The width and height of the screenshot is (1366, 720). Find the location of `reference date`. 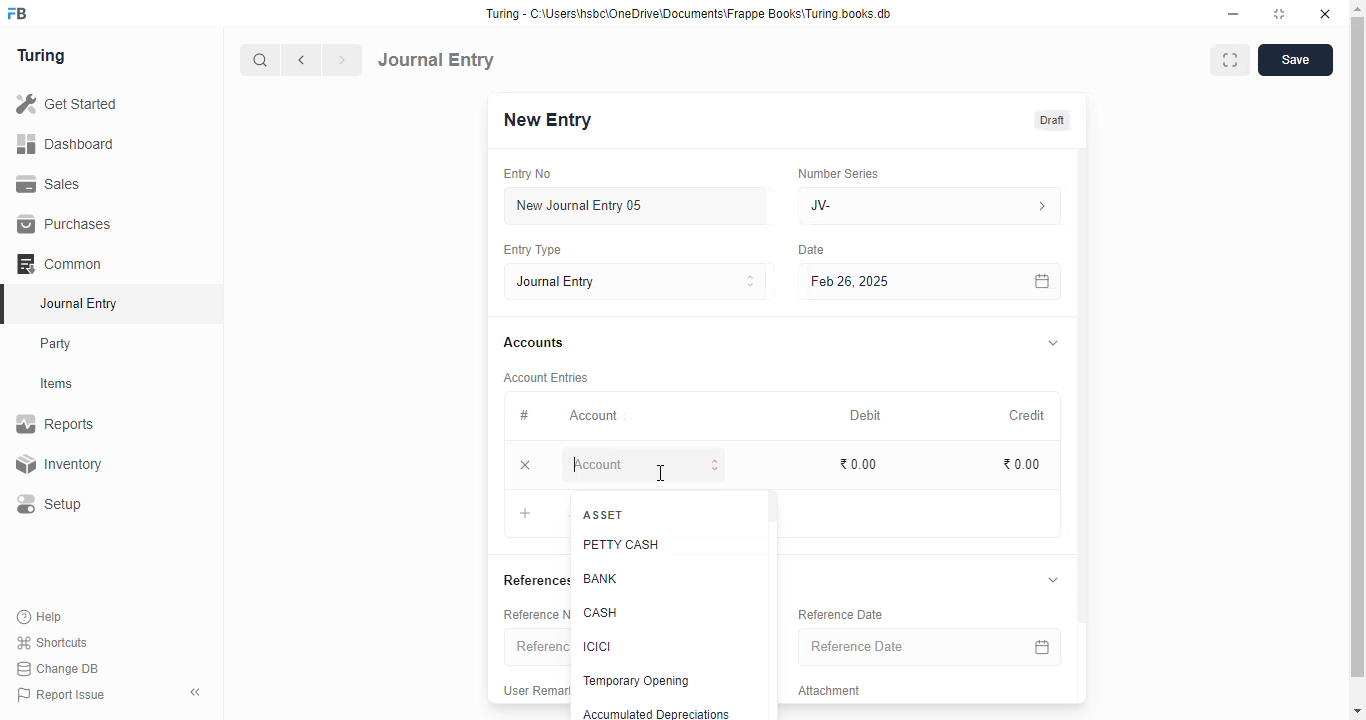

reference date is located at coordinates (841, 615).